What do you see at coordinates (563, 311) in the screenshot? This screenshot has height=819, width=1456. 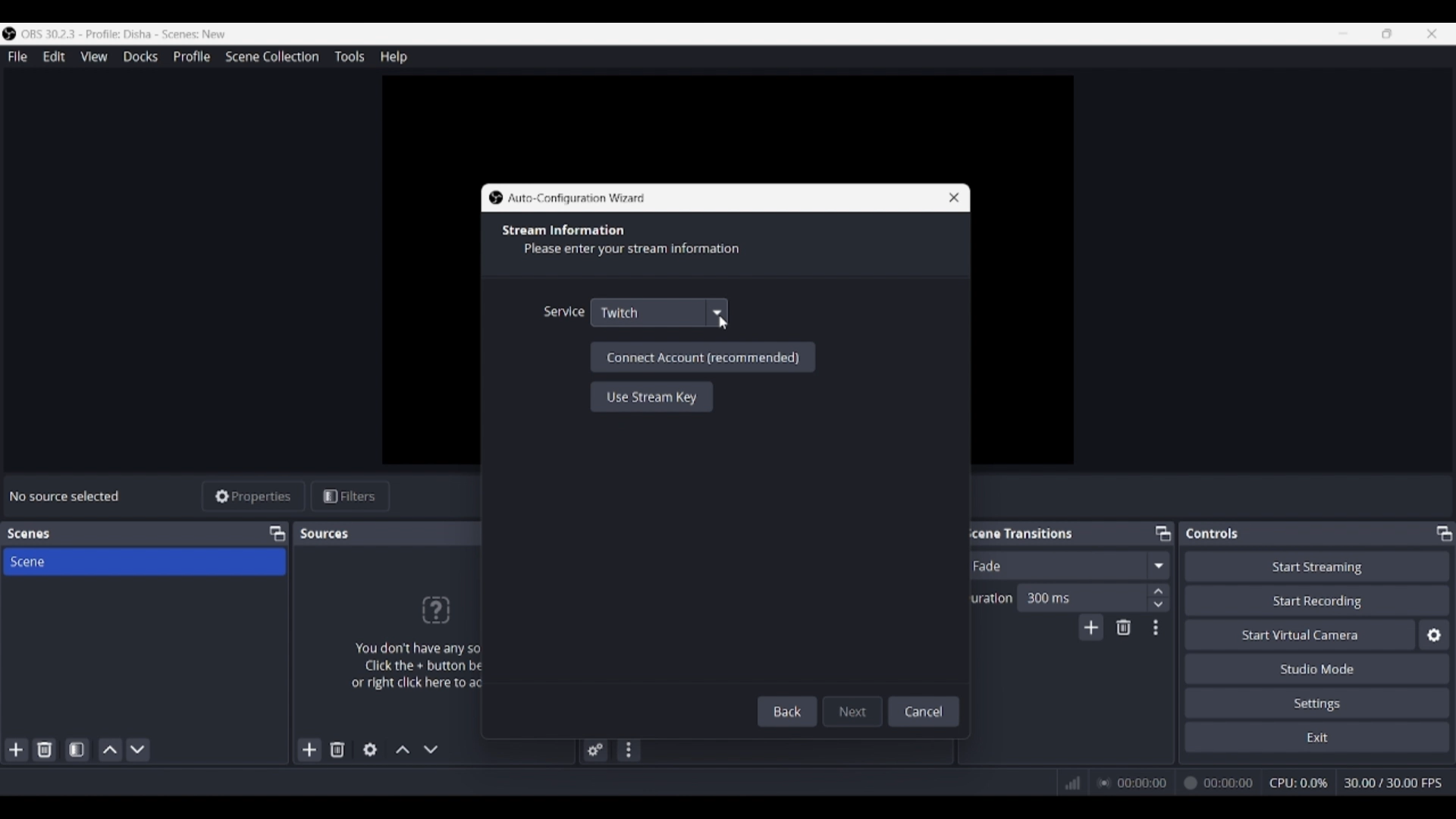 I see `Indicates service options` at bounding box center [563, 311].